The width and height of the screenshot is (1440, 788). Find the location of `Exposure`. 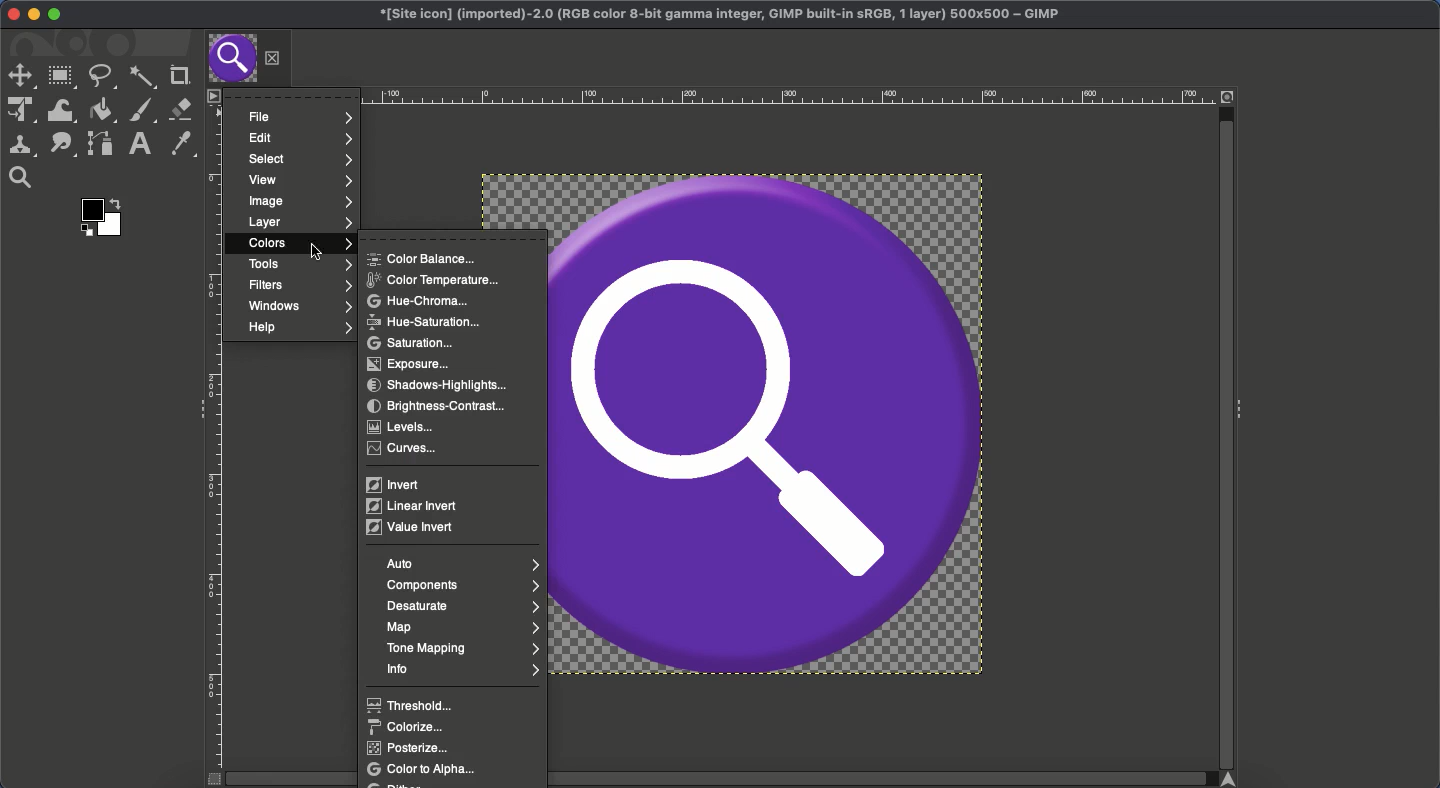

Exposure is located at coordinates (411, 365).